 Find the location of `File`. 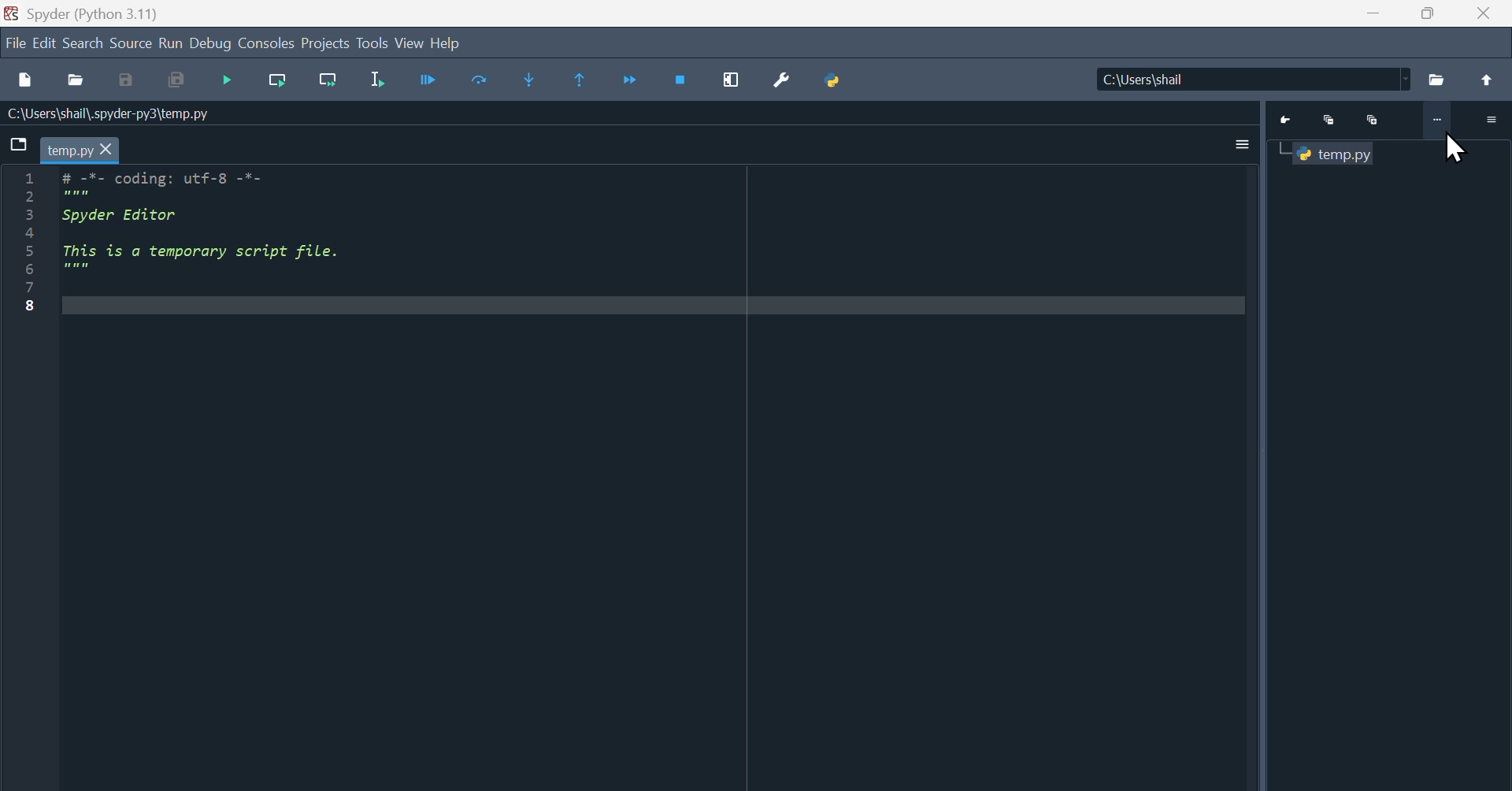

File is located at coordinates (1438, 80).